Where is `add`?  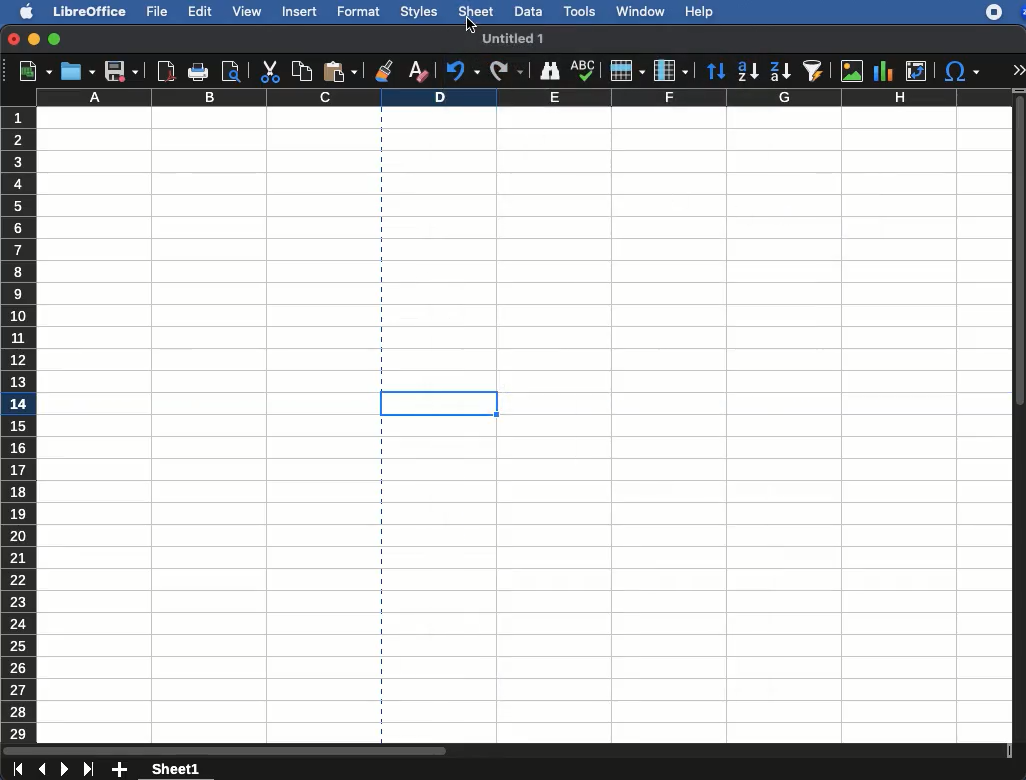 add is located at coordinates (122, 770).